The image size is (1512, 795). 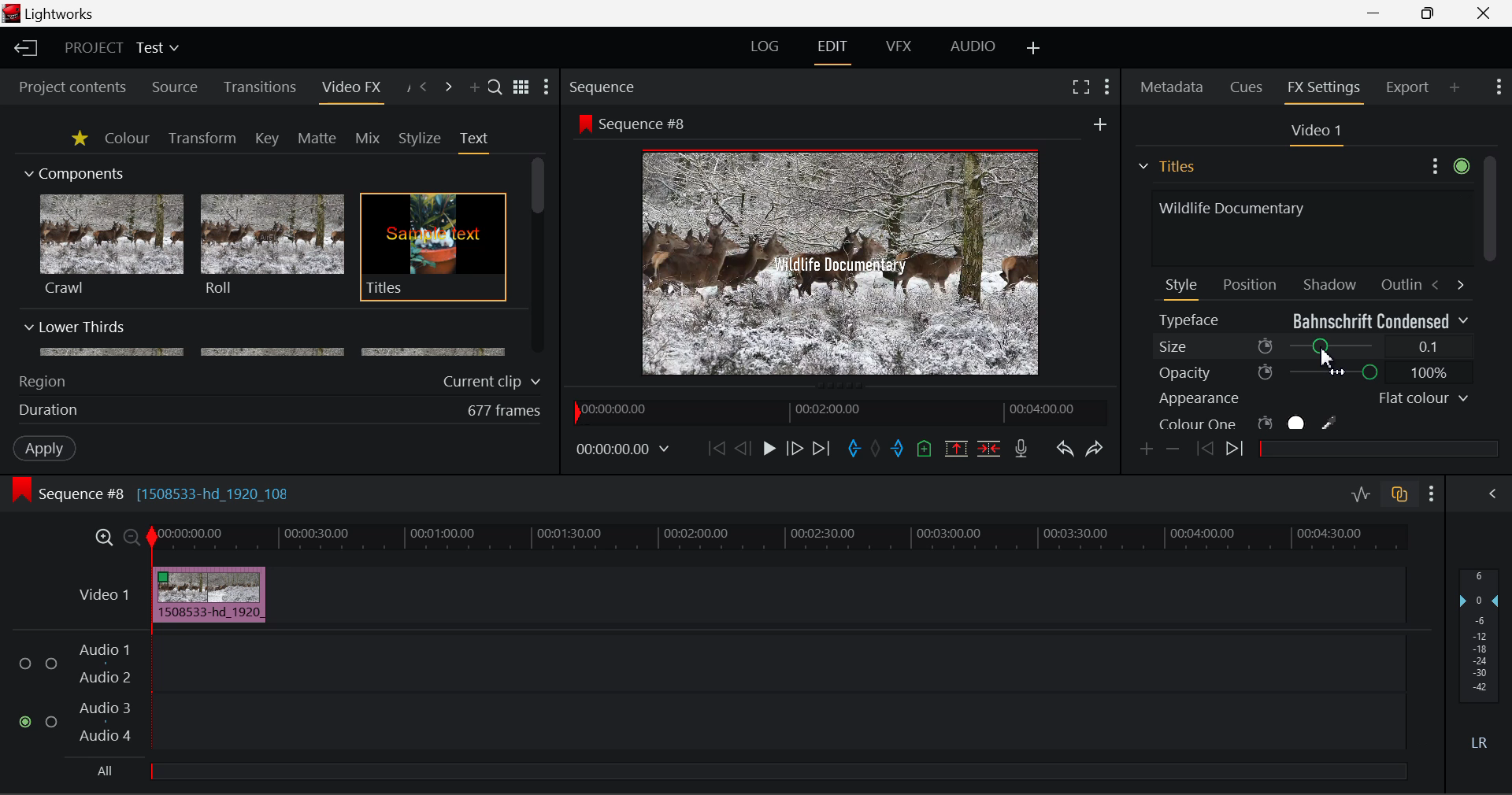 What do you see at coordinates (1314, 319) in the screenshot?
I see `Typeface Bahnschrift Condensed` at bounding box center [1314, 319].